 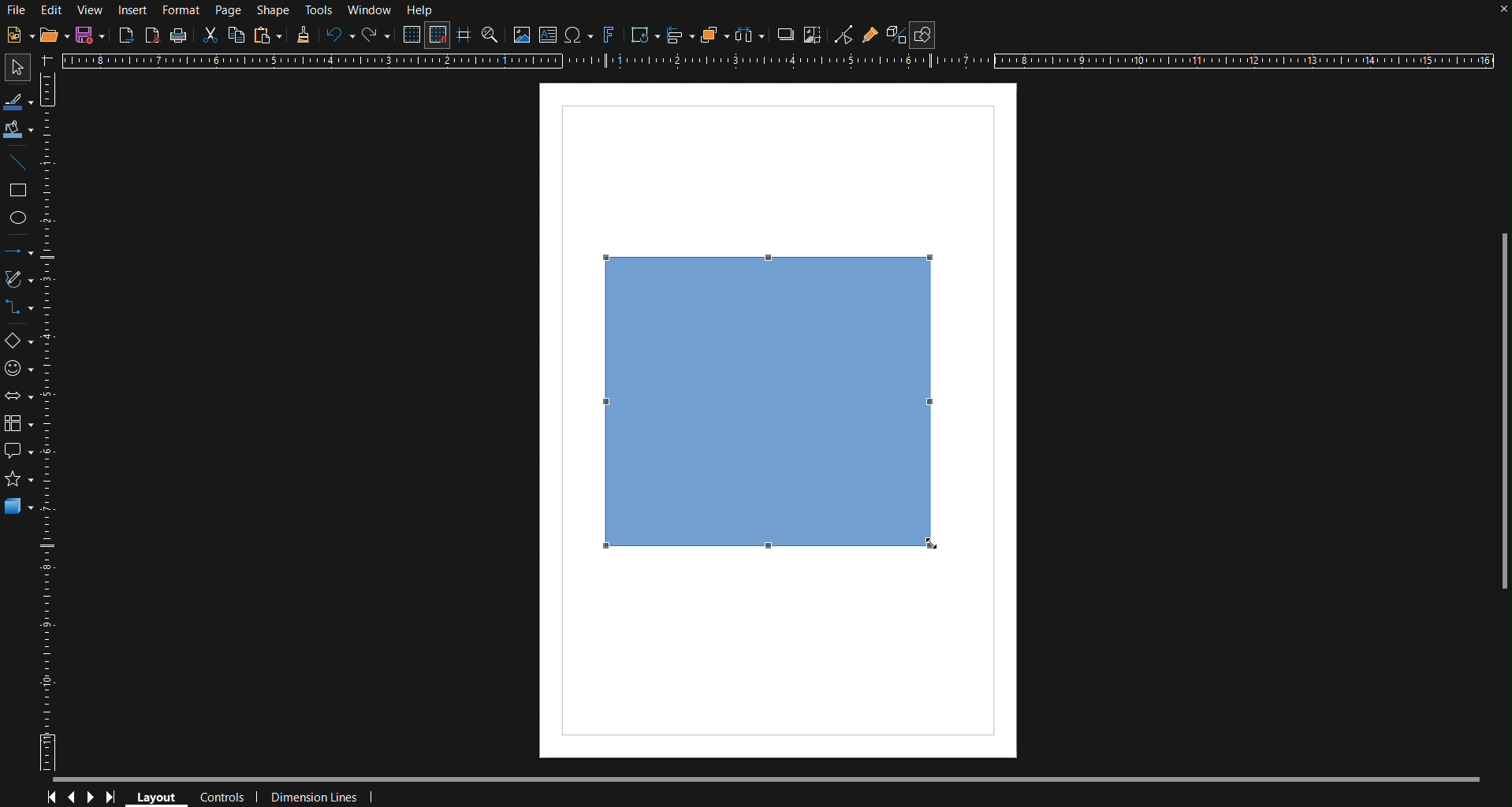 What do you see at coordinates (750, 35) in the screenshot?
I see `Distribute objects` at bounding box center [750, 35].